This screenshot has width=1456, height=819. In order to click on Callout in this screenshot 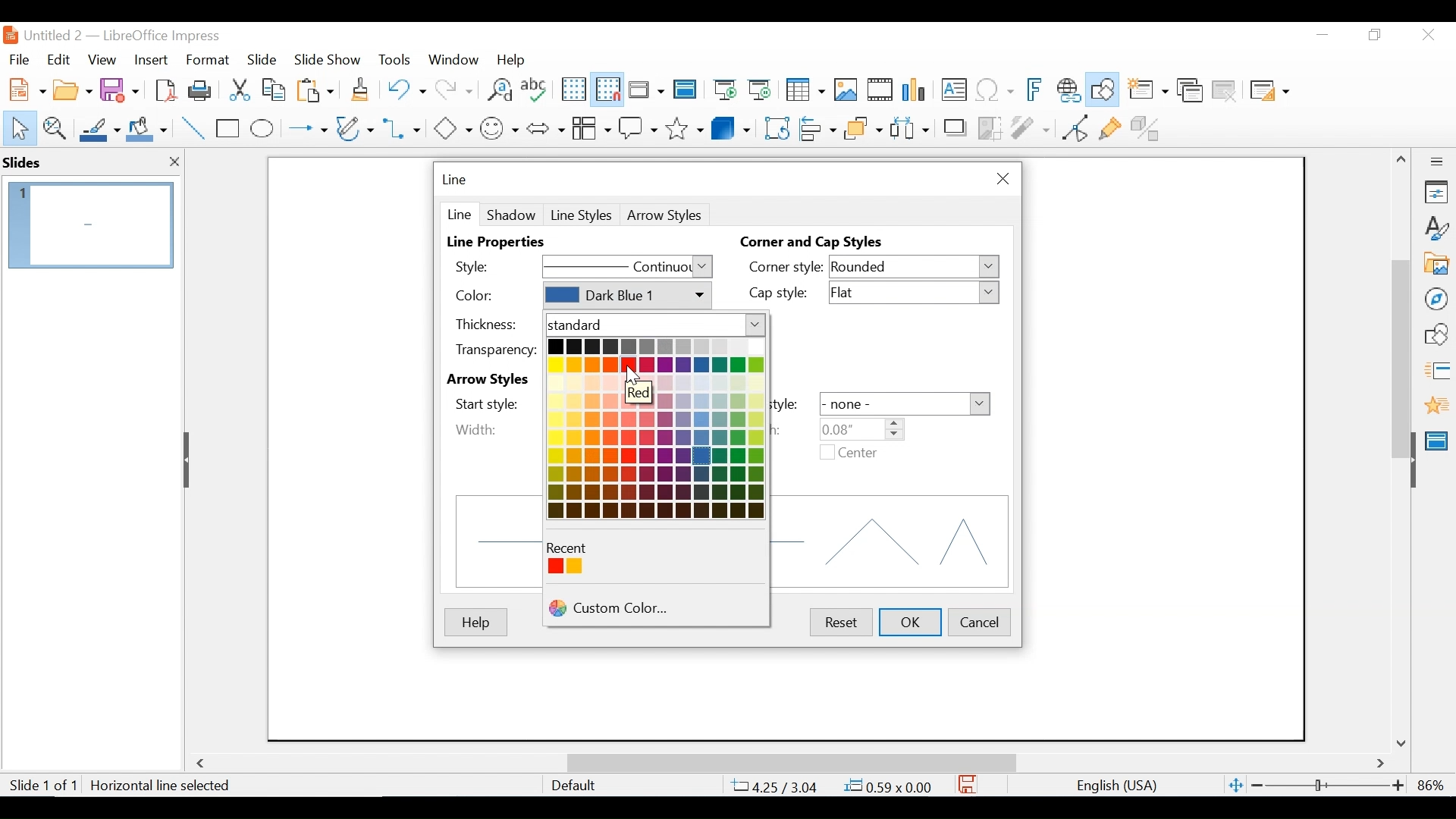, I will do `click(638, 127)`.